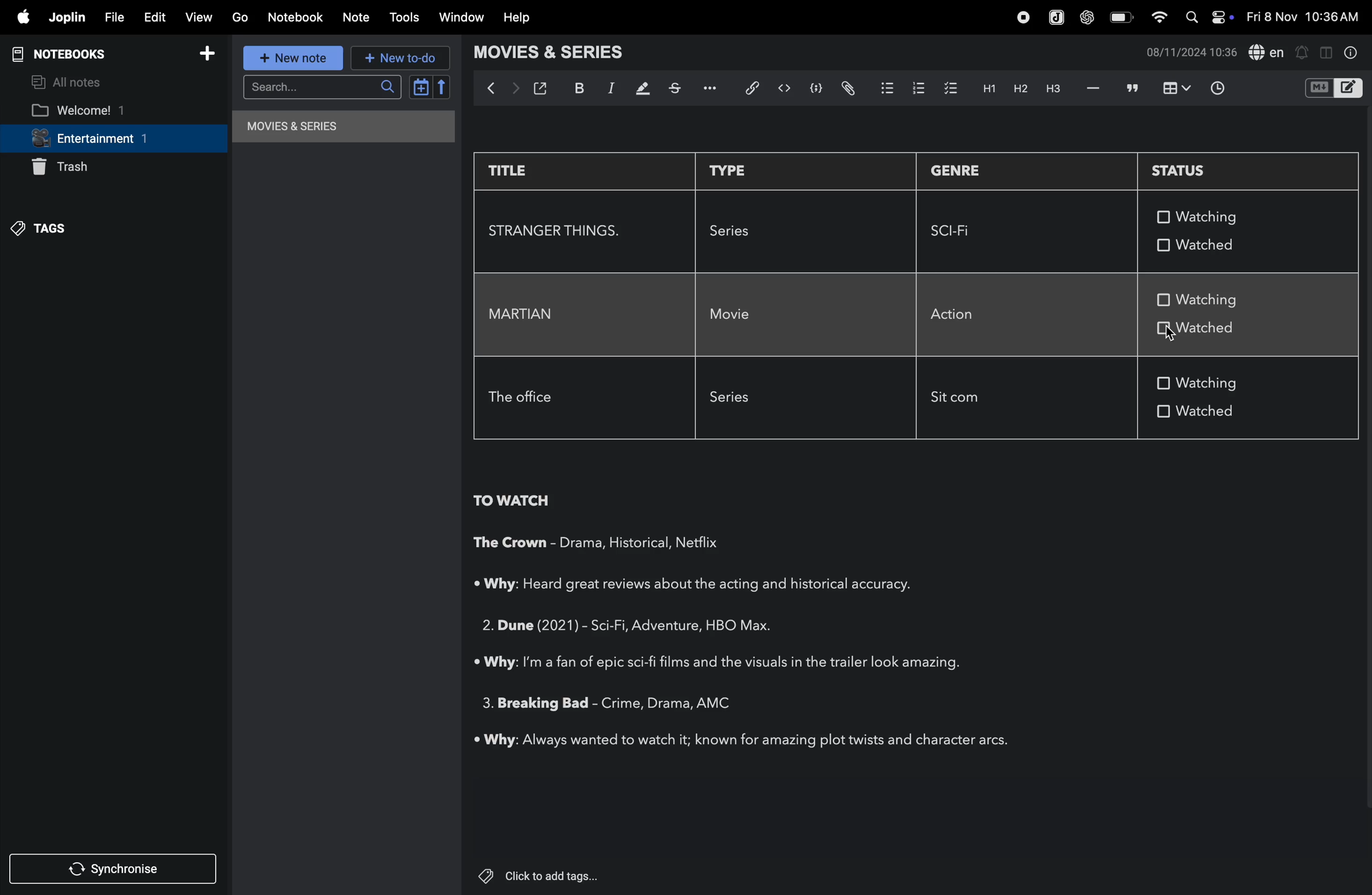 This screenshot has width=1372, height=895. I want to click on time, so click(1220, 88).